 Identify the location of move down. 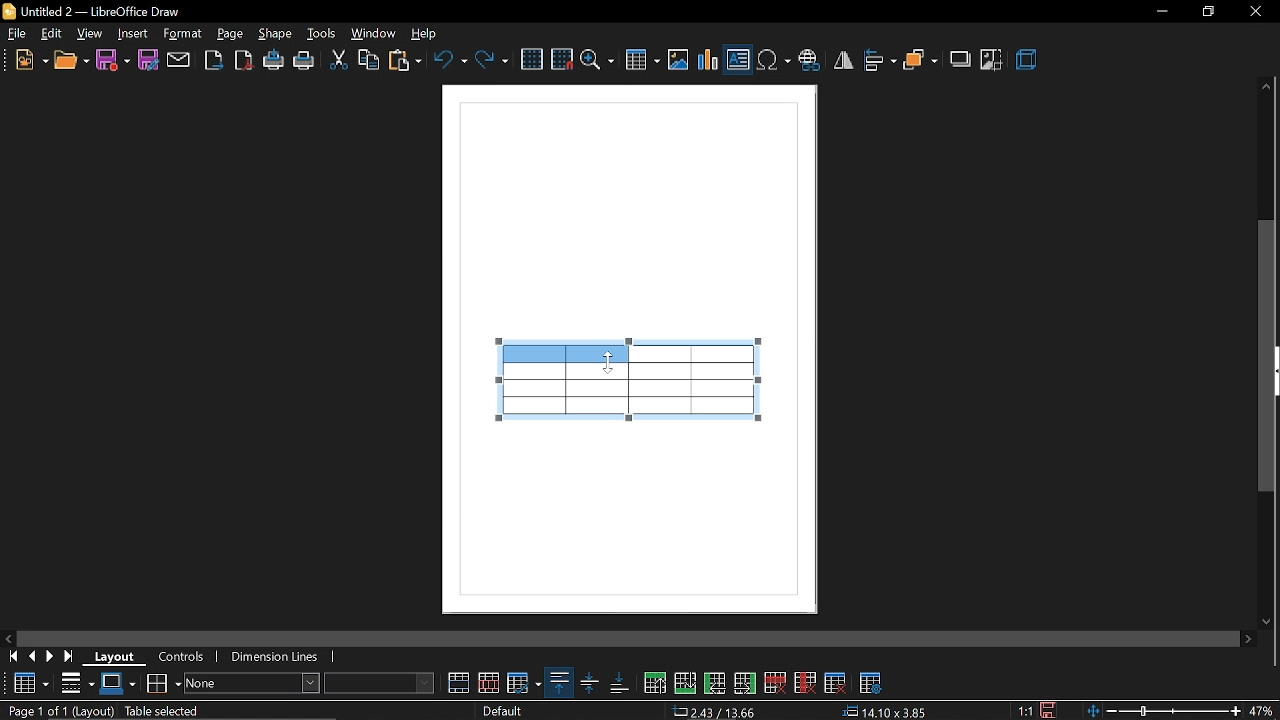
(1265, 620).